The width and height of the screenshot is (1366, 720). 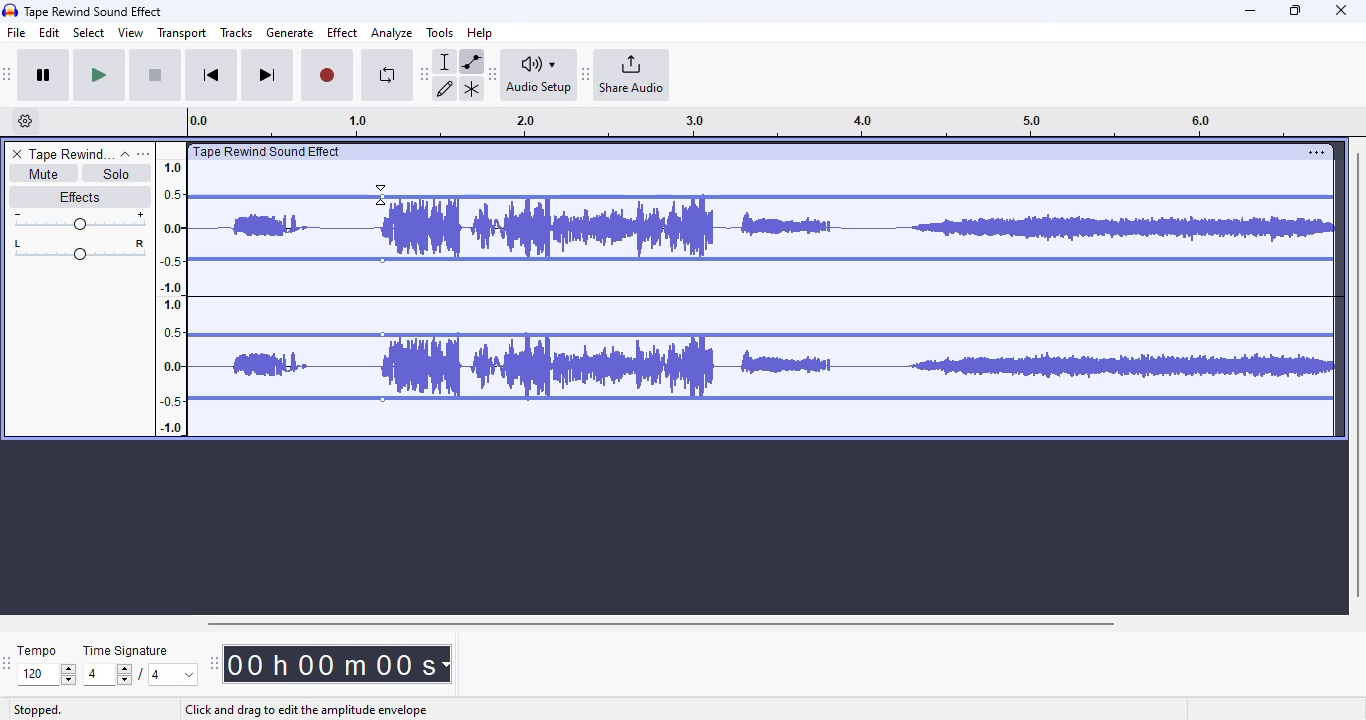 I want to click on stop, so click(x=155, y=76).